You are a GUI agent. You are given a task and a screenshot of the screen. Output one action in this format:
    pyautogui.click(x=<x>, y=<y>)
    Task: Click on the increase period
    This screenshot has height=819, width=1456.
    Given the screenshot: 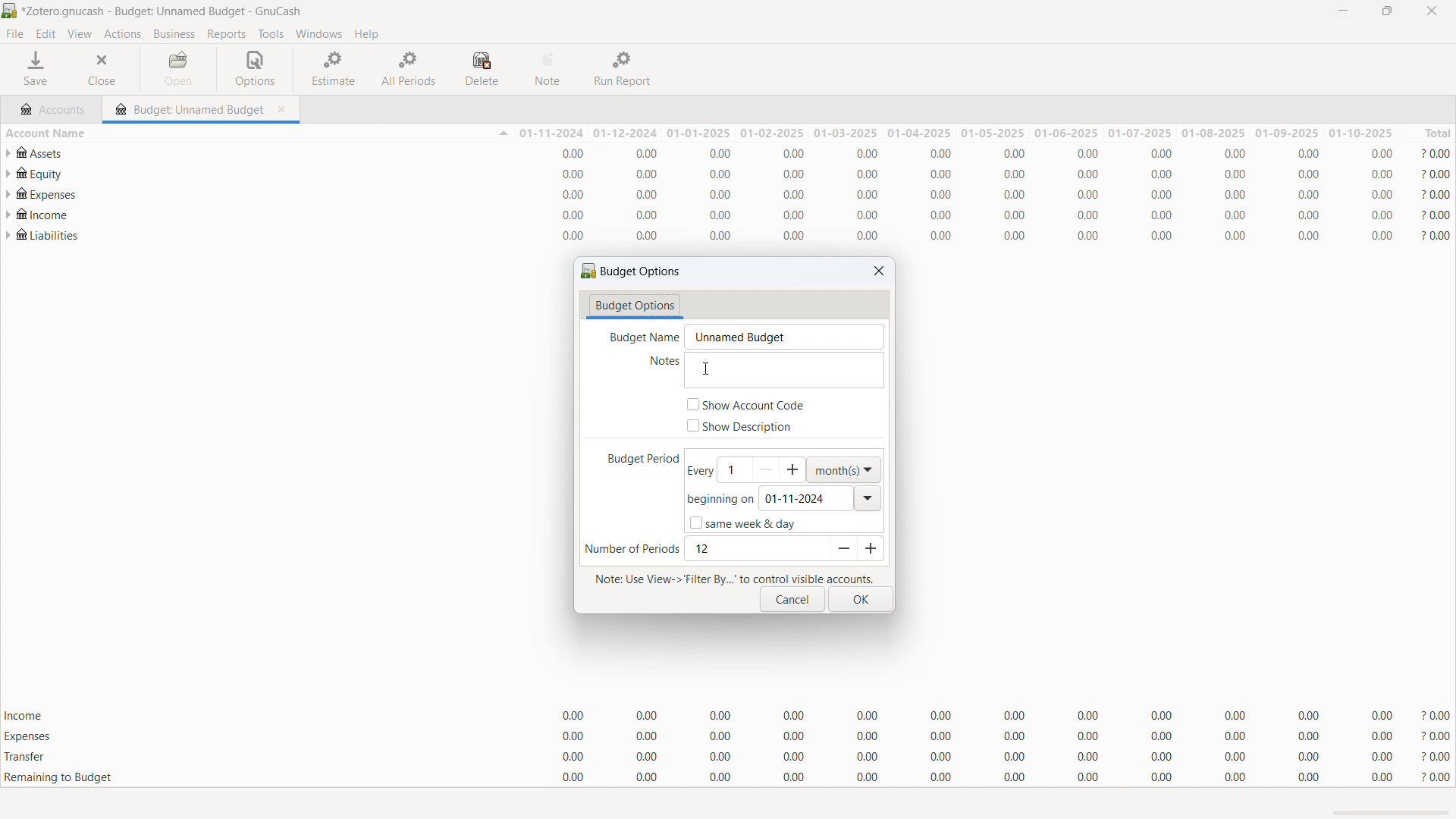 What is the action you would take?
    pyautogui.click(x=869, y=548)
    